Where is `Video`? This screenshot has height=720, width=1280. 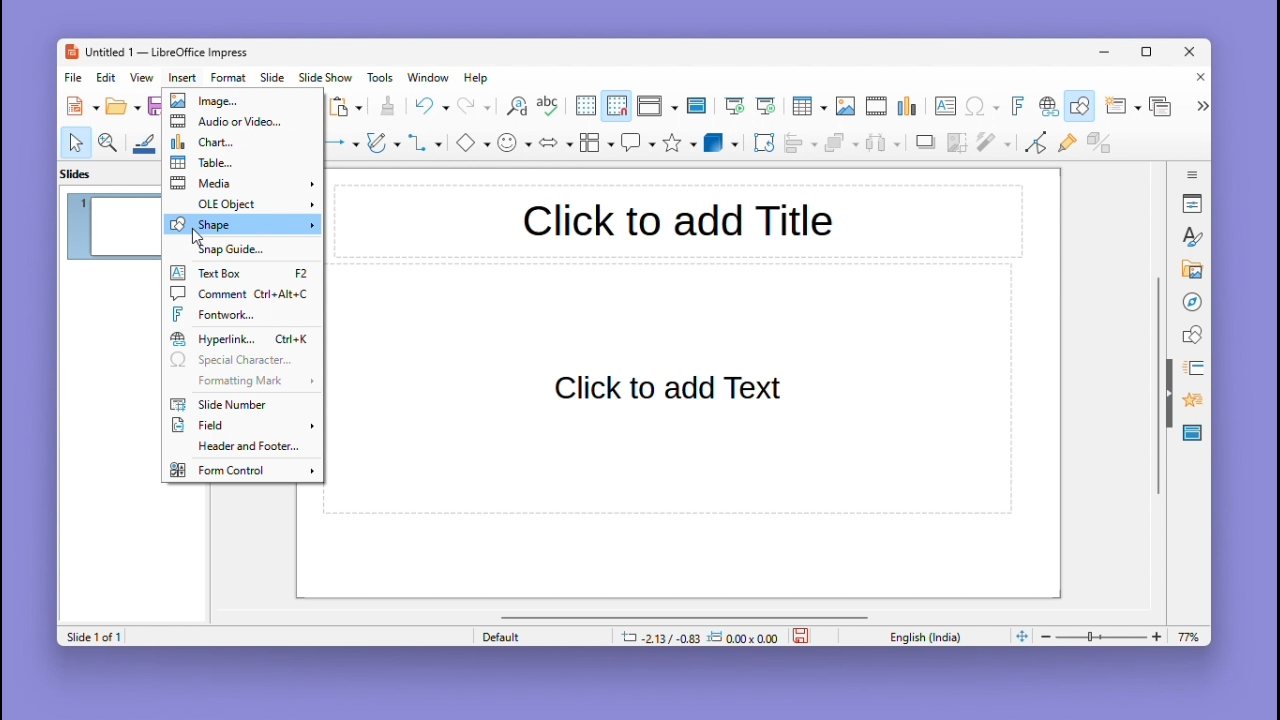 Video is located at coordinates (876, 107).